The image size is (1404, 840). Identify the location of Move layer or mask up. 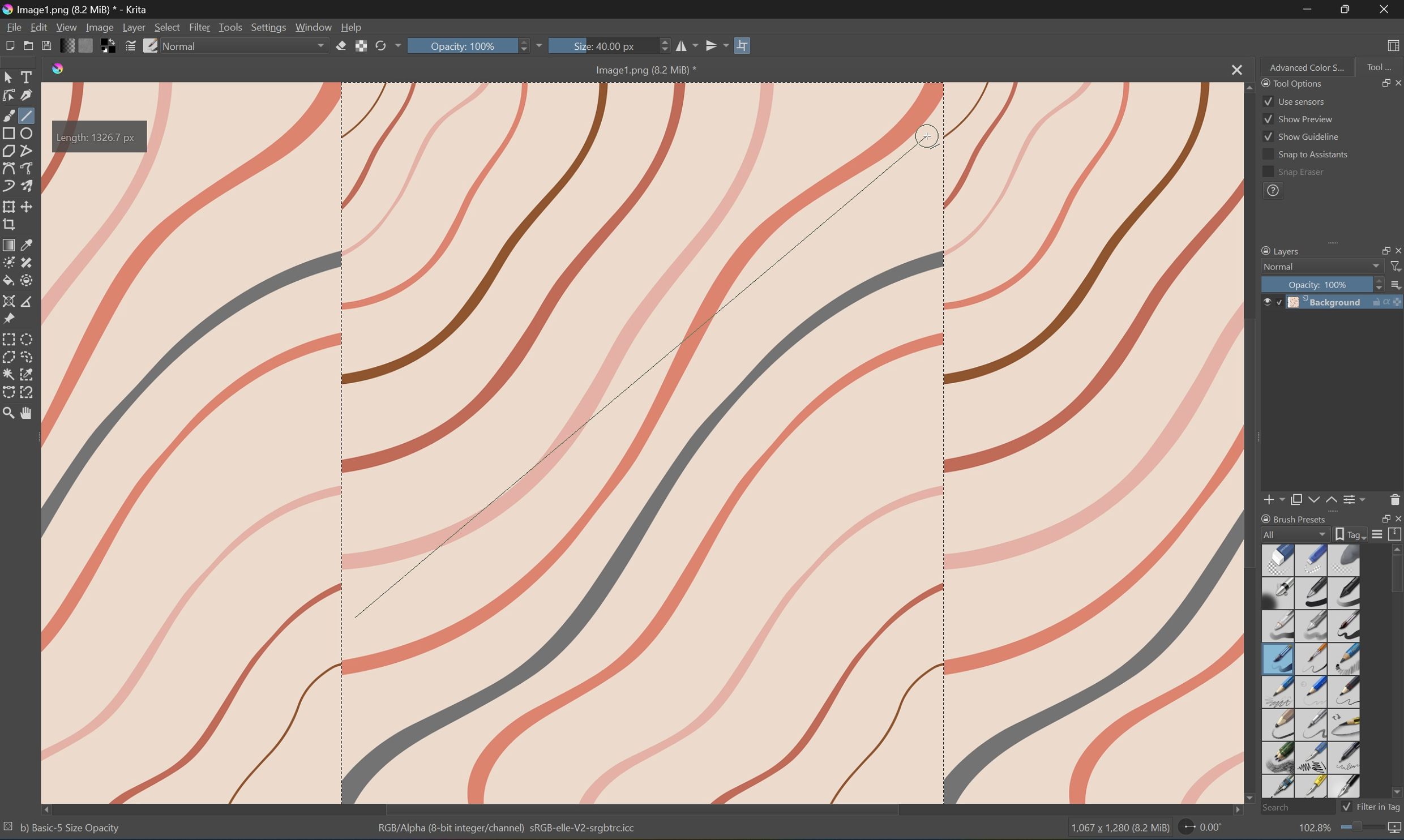
(1332, 500).